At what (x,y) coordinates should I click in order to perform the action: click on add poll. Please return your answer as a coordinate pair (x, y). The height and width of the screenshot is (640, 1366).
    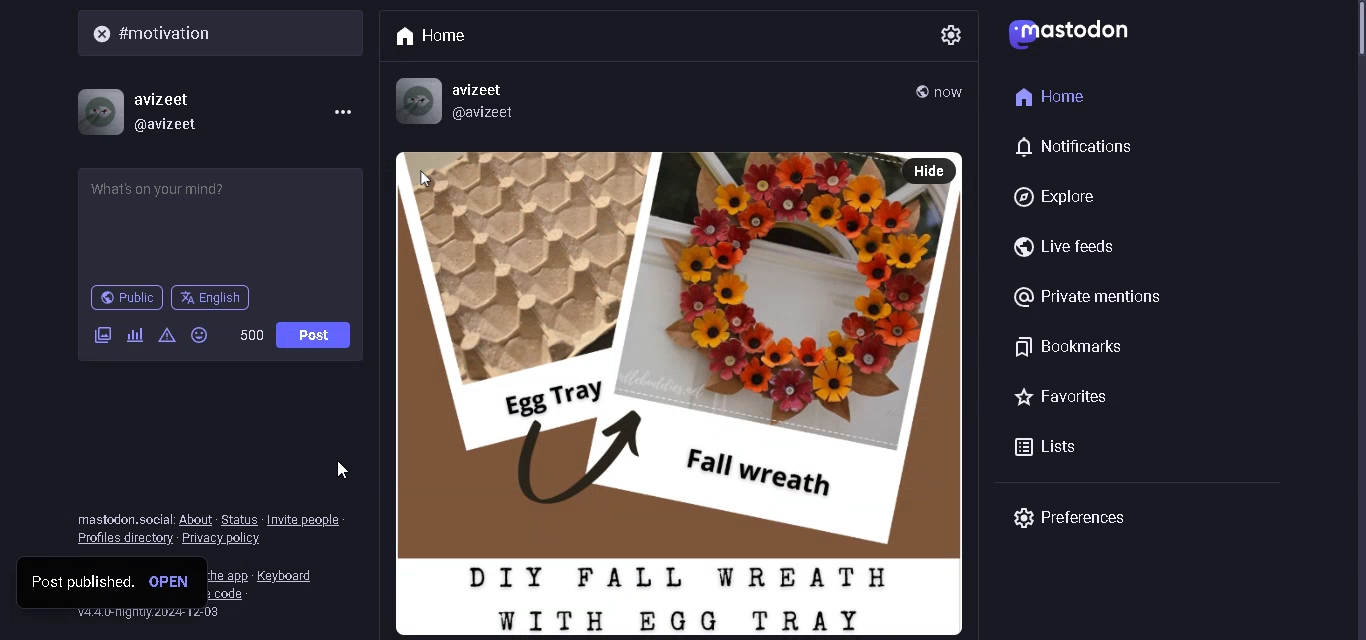
    Looking at the image, I should click on (137, 340).